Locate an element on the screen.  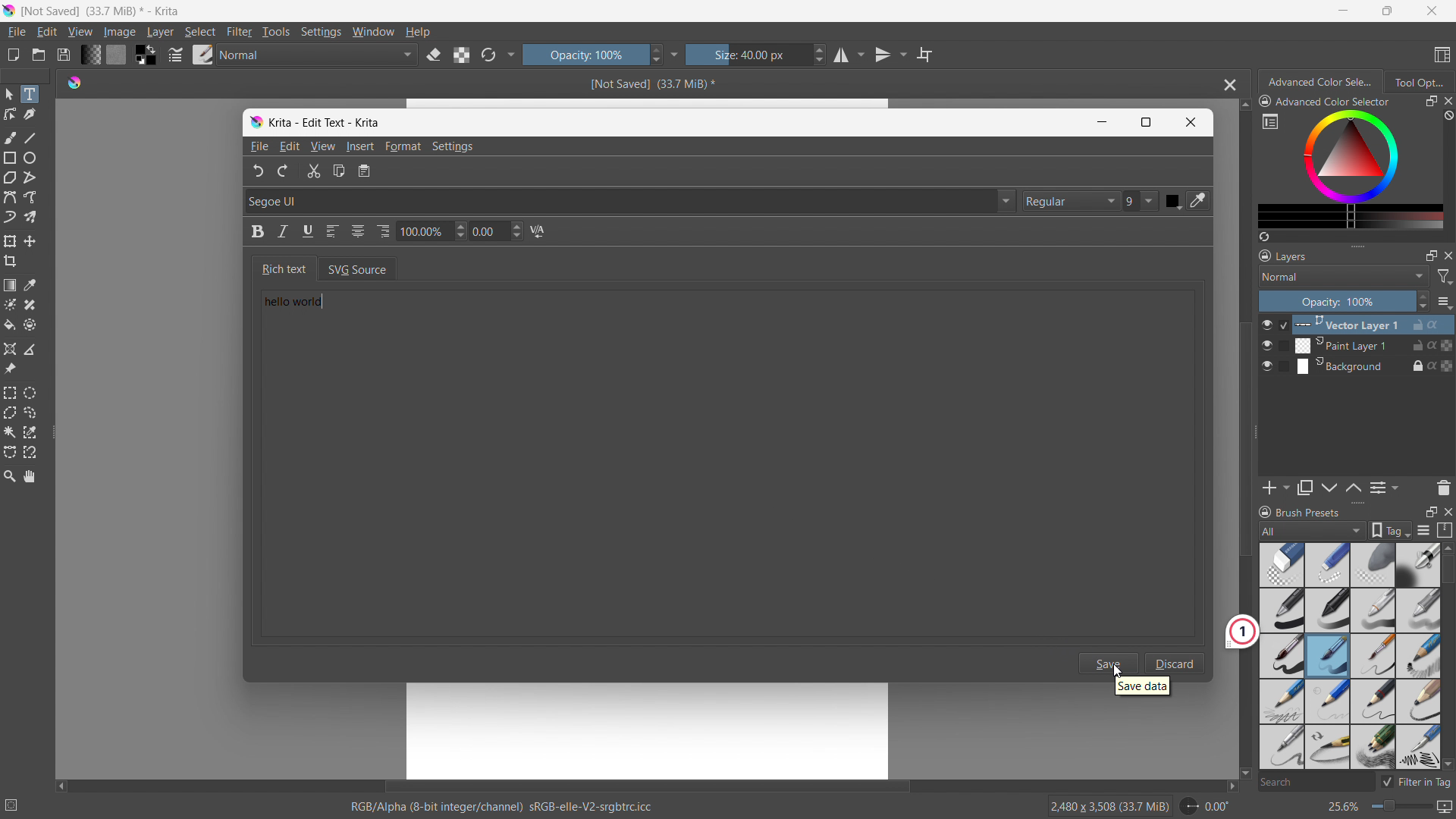
not saved (33.5 MB)* - Krita is located at coordinates (104, 10).